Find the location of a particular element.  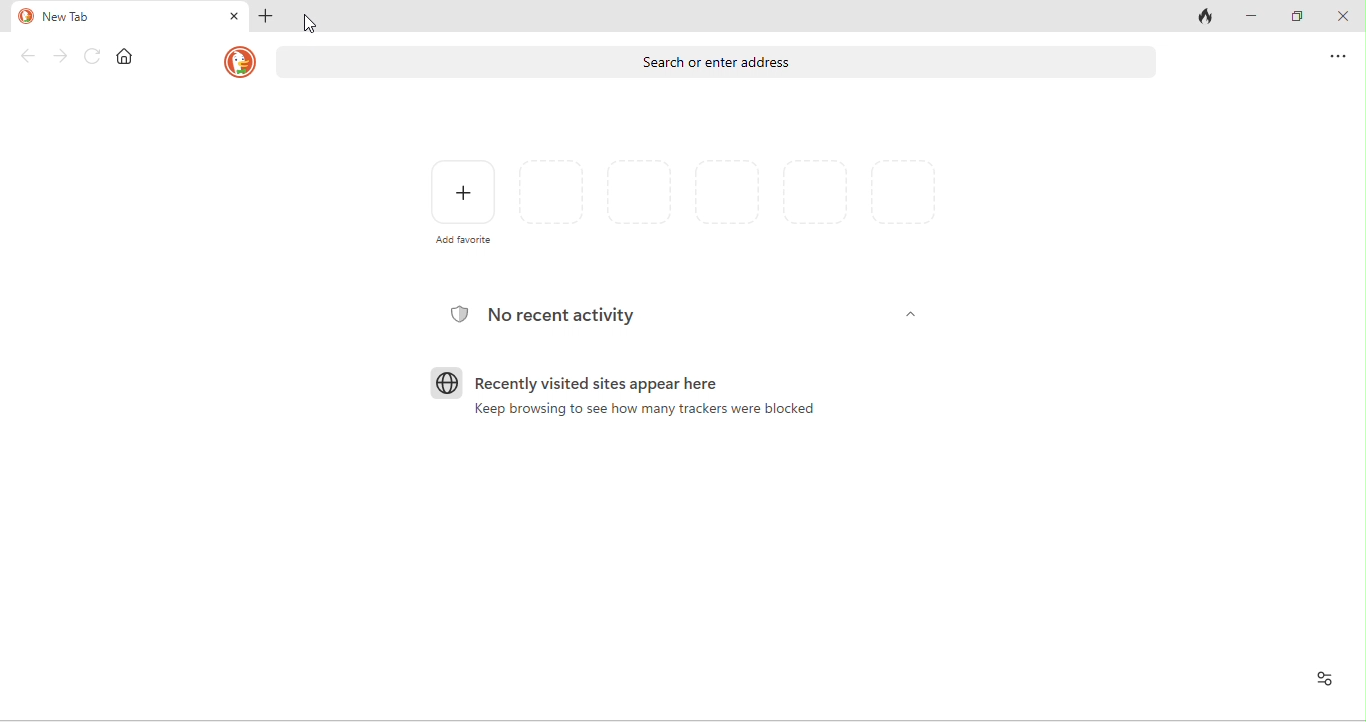

favorites is located at coordinates (740, 200).